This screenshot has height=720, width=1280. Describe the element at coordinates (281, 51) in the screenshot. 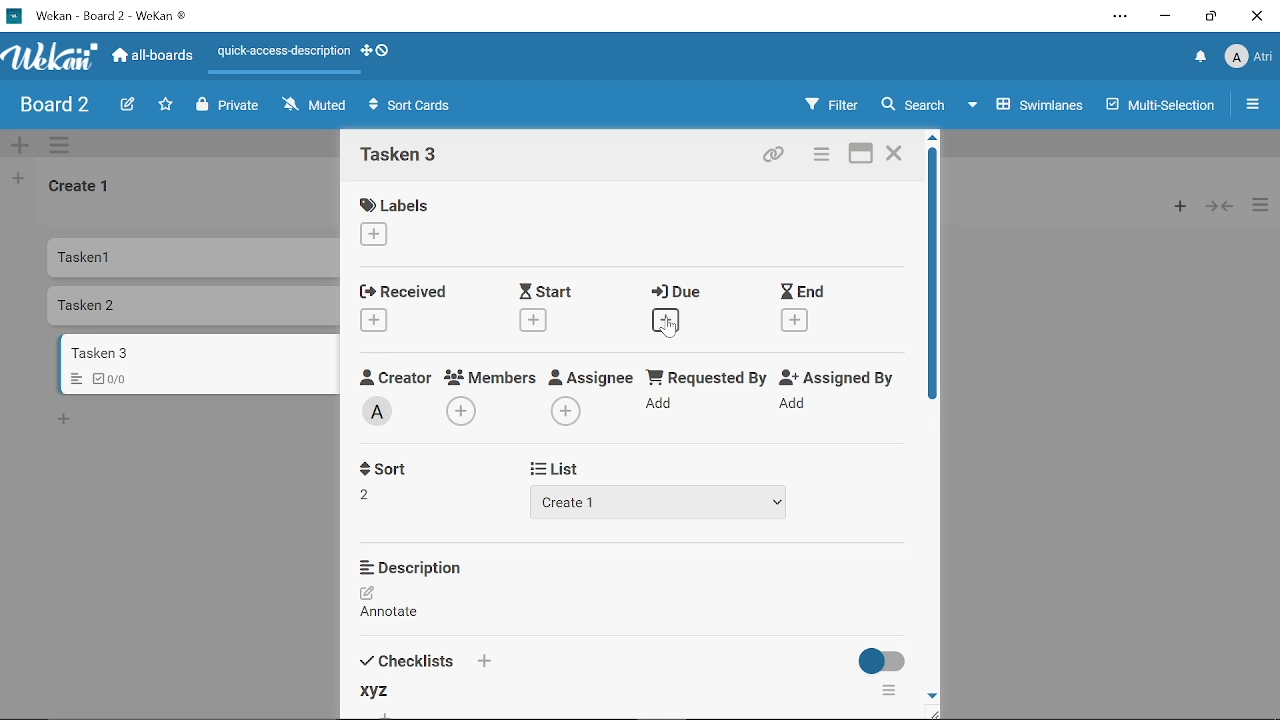

I see `Quick access description` at that location.